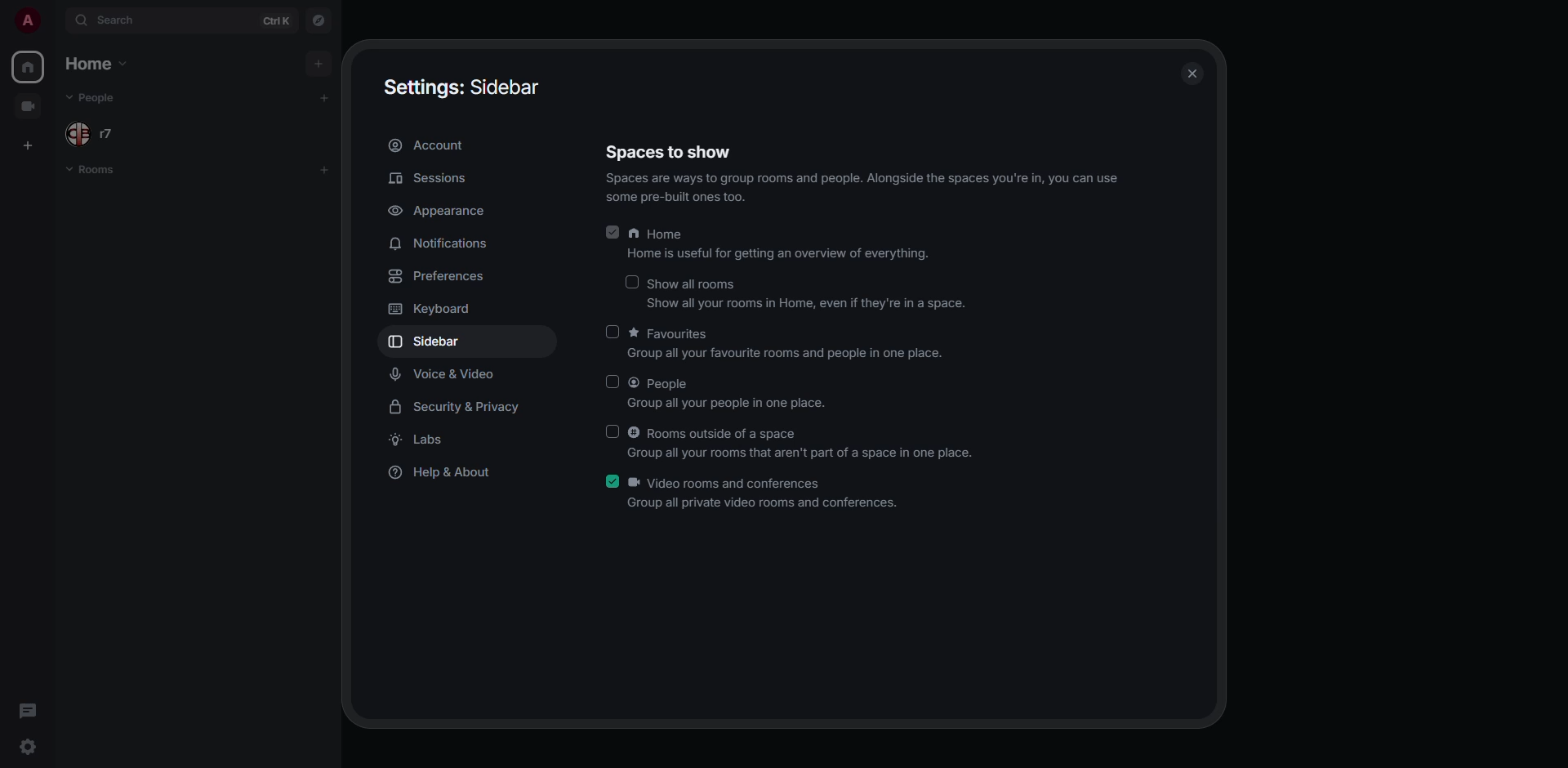 The width and height of the screenshot is (1568, 768). I want to click on appearance, so click(439, 212).